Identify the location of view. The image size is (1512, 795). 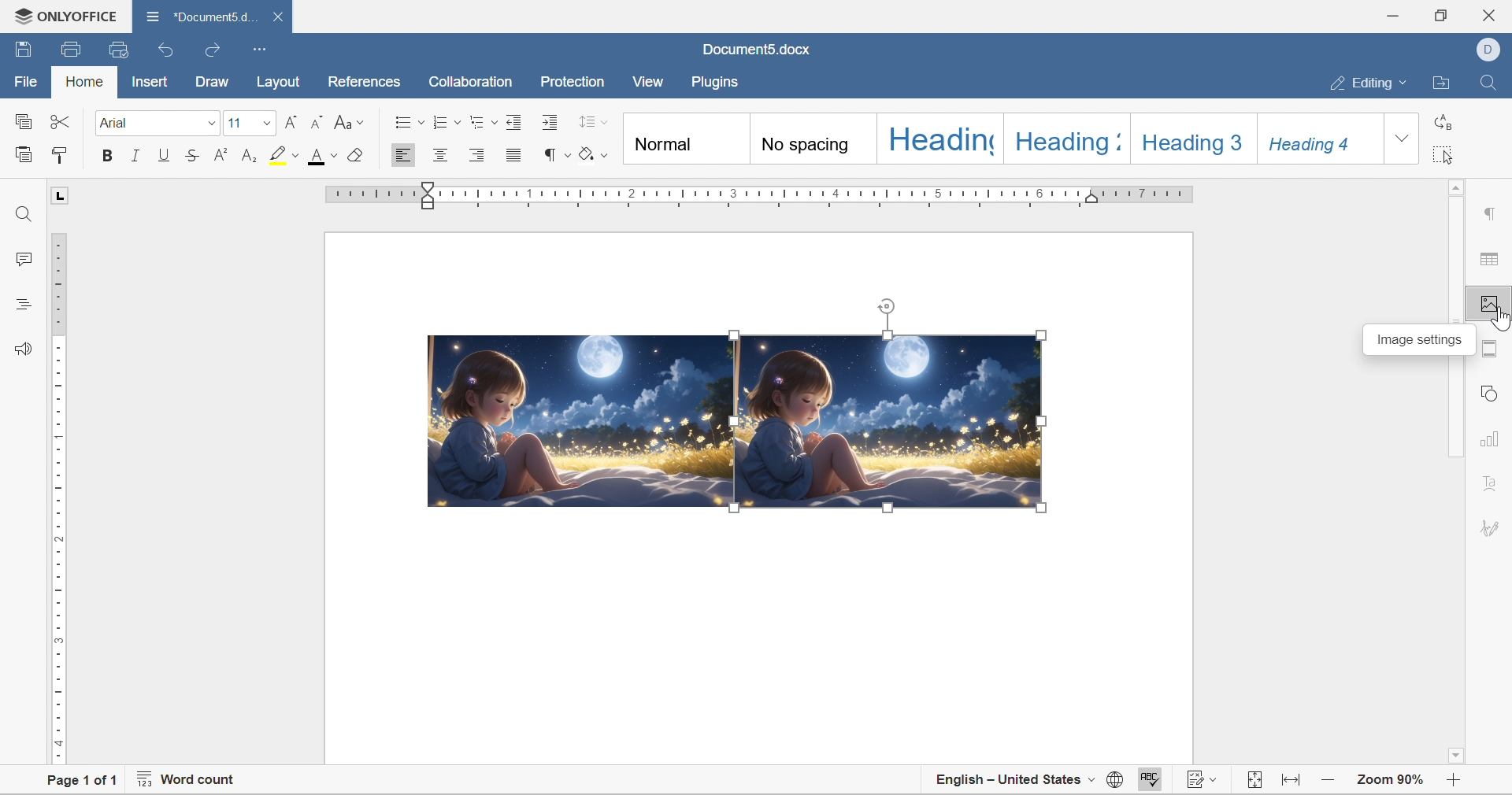
(652, 81).